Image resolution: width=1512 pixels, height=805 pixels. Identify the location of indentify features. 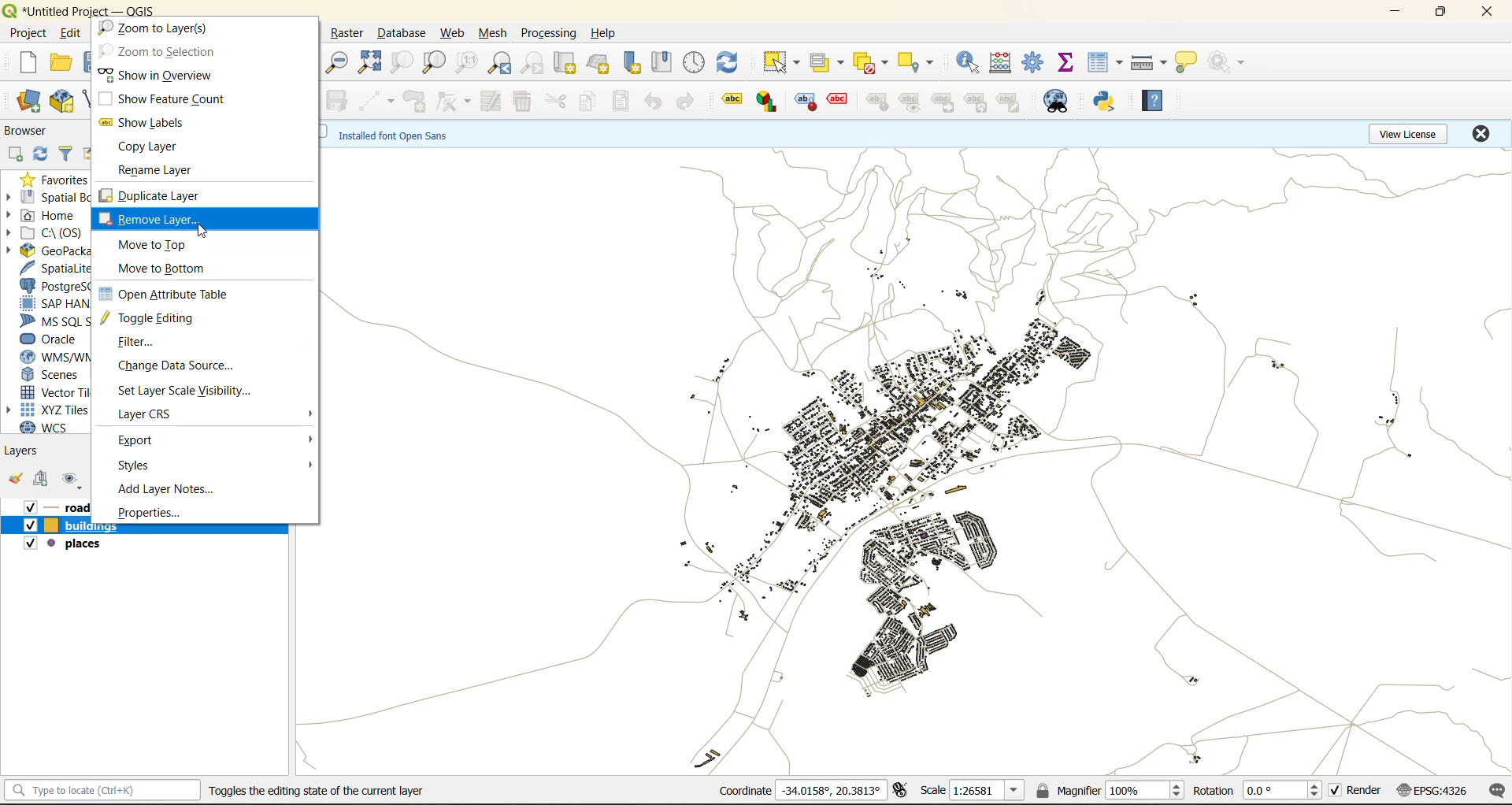
(967, 67).